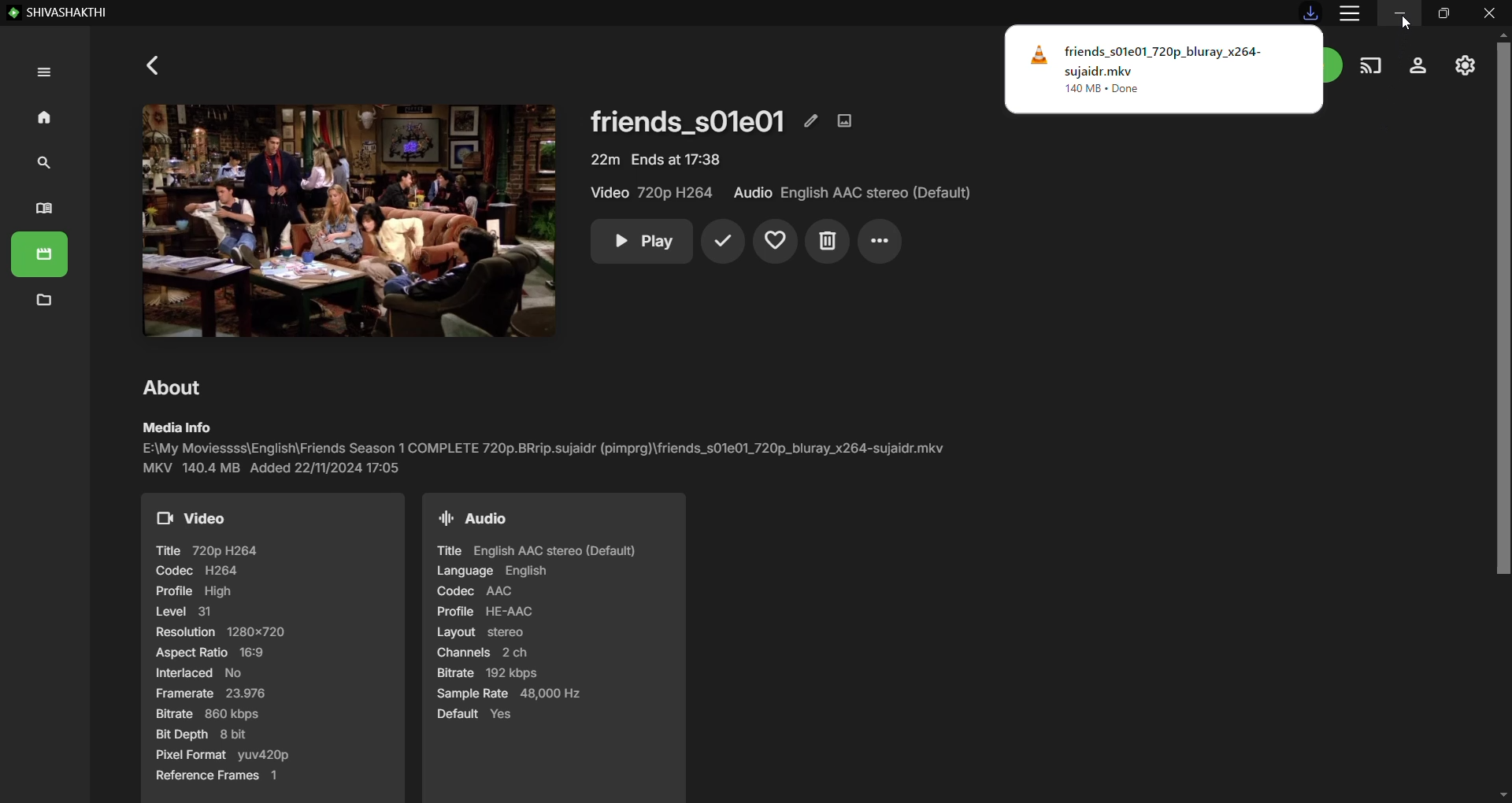 The width and height of the screenshot is (1512, 803). Describe the element at coordinates (1350, 13) in the screenshot. I see `` at that location.